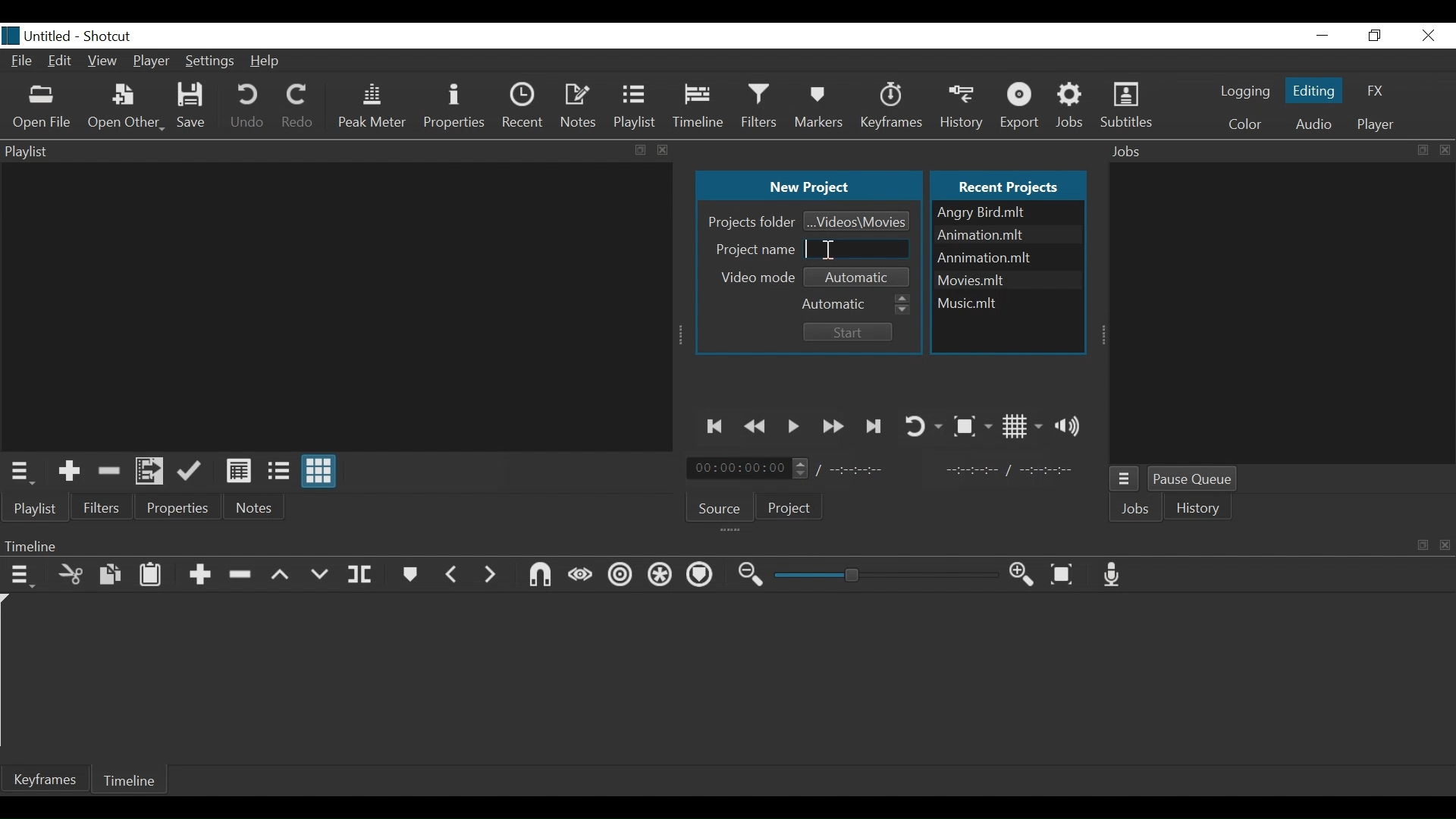  I want to click on History, so click(964, 105).